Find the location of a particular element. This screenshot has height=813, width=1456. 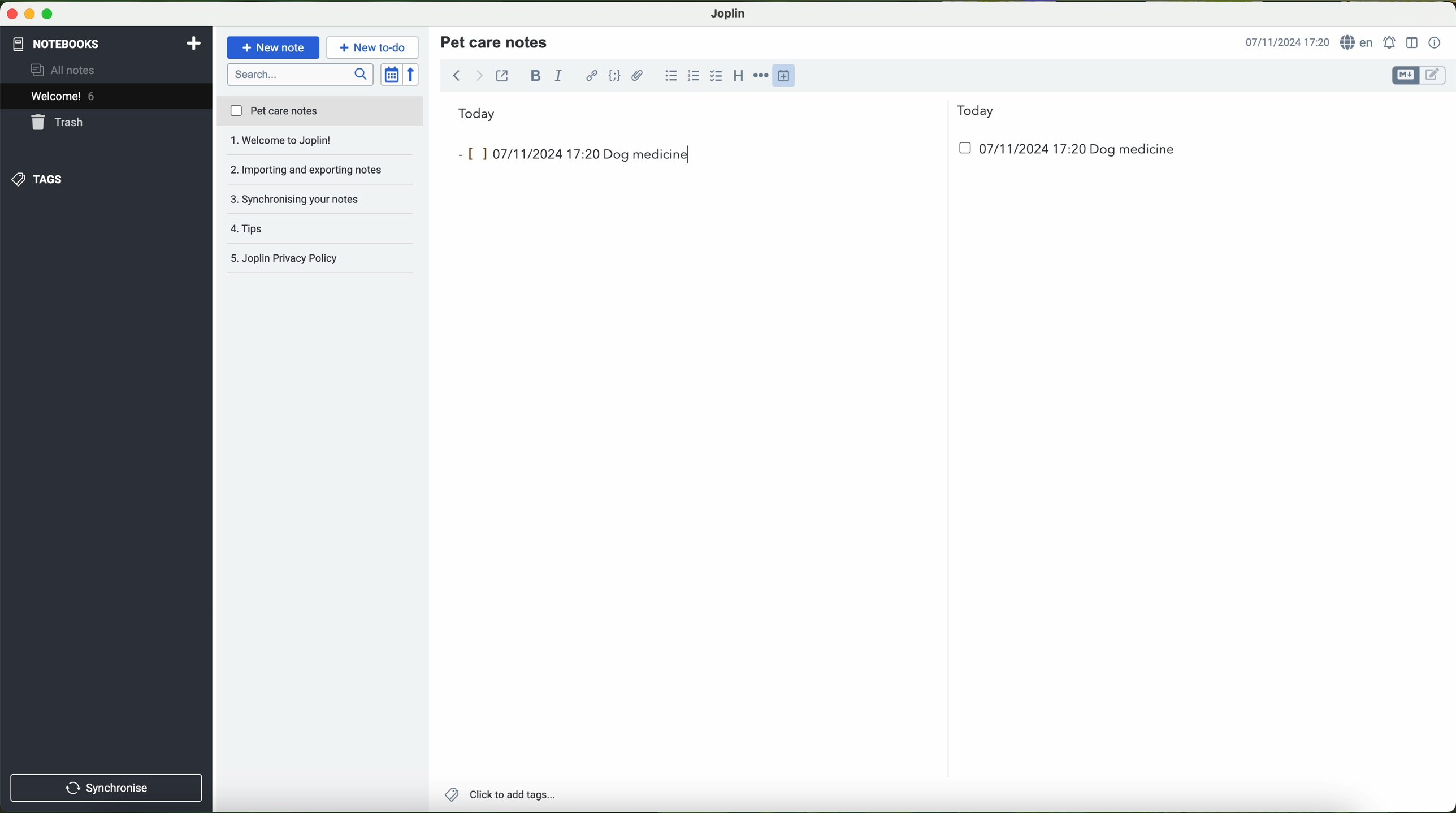

dog medicine is located at coordinates (647, 155).